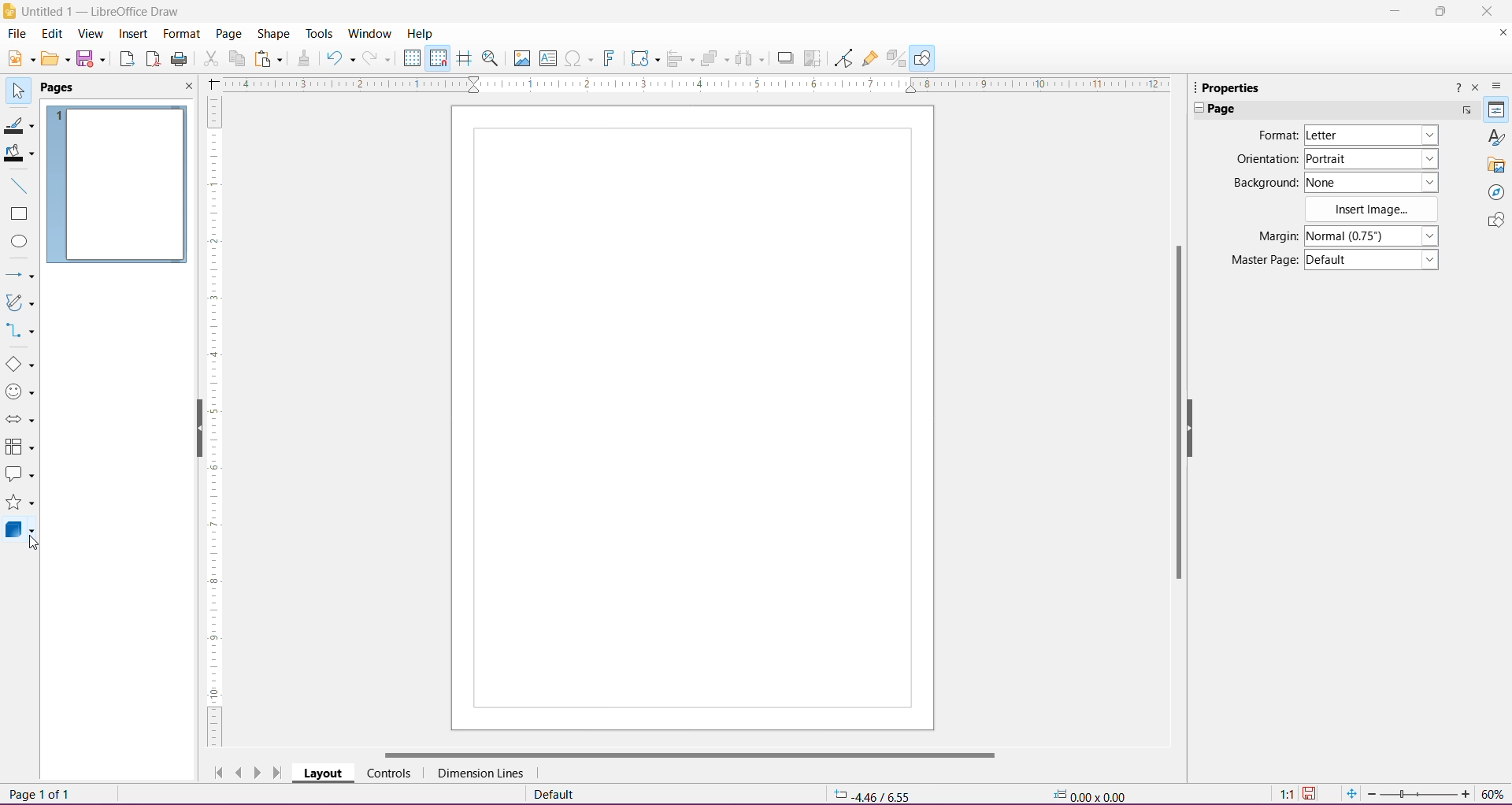  What do you see at coordinates (305, 59) in the screenshot?
I see `Clone Formatting` at bounding box center [305, 59].